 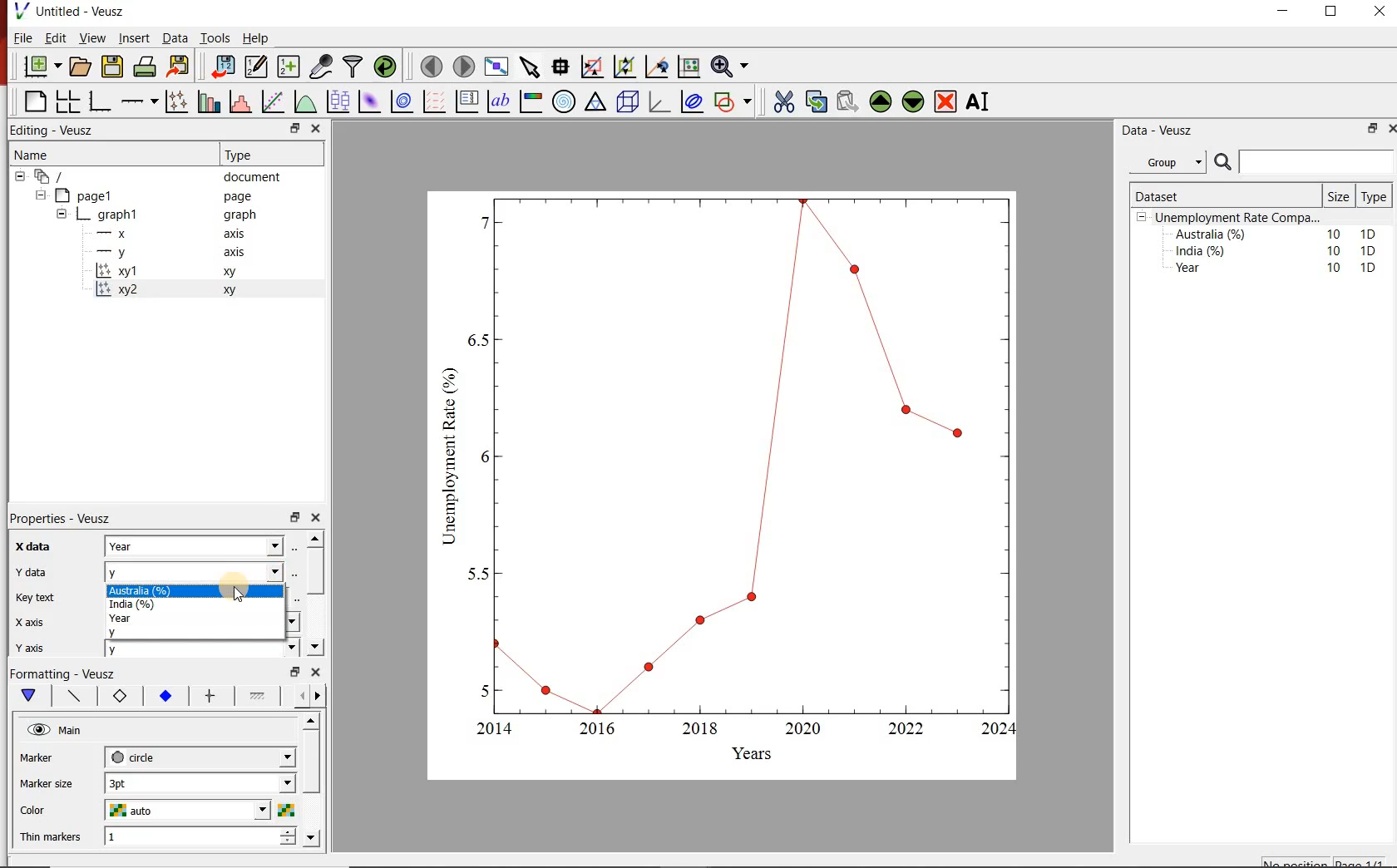 What do you see at coordinates (211, 696) in the screenshot?
I see `error bar line` at bounding box center [211, 696].